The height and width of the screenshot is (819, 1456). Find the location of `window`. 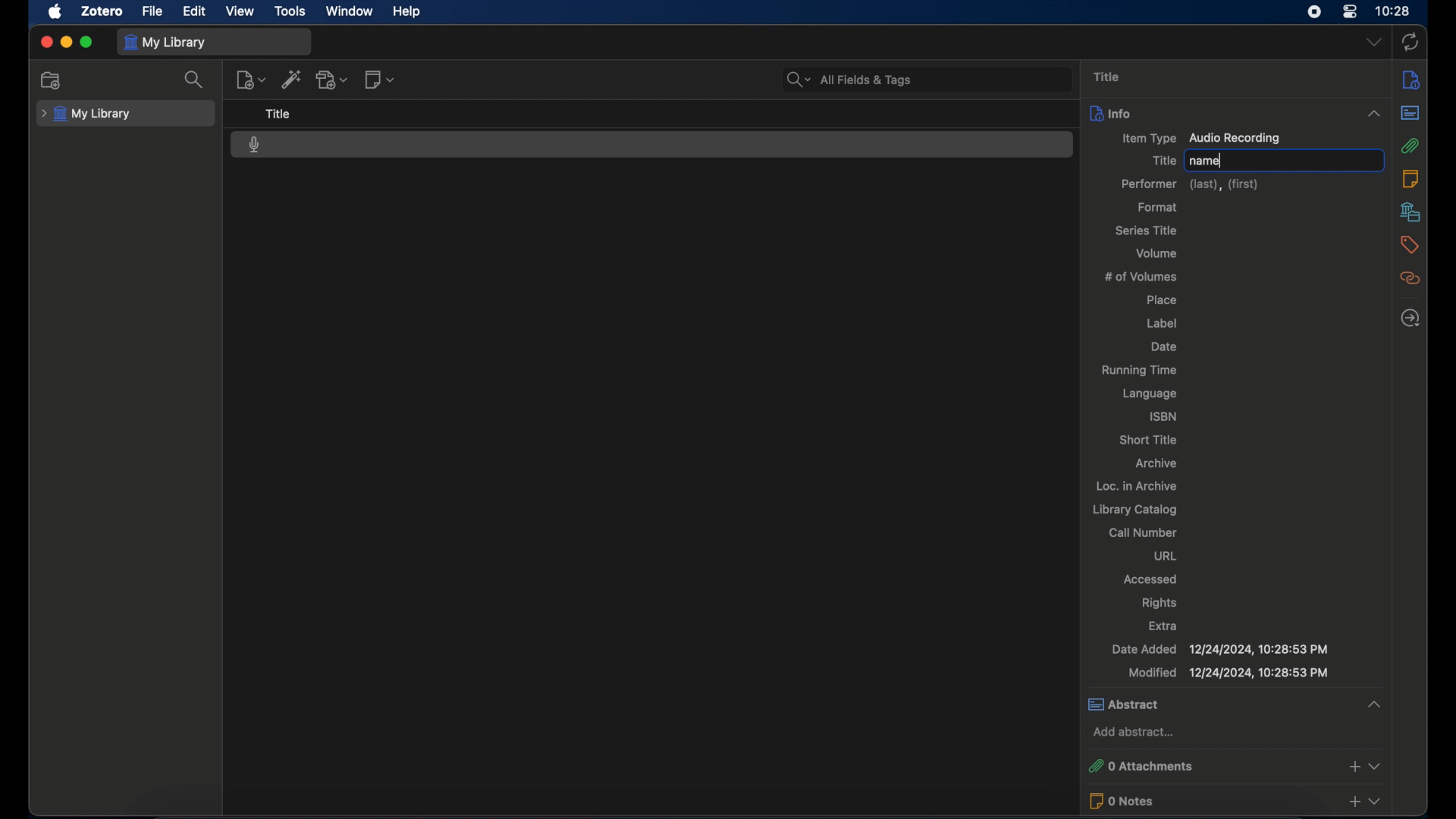

window is located at coordinates (350, 11).